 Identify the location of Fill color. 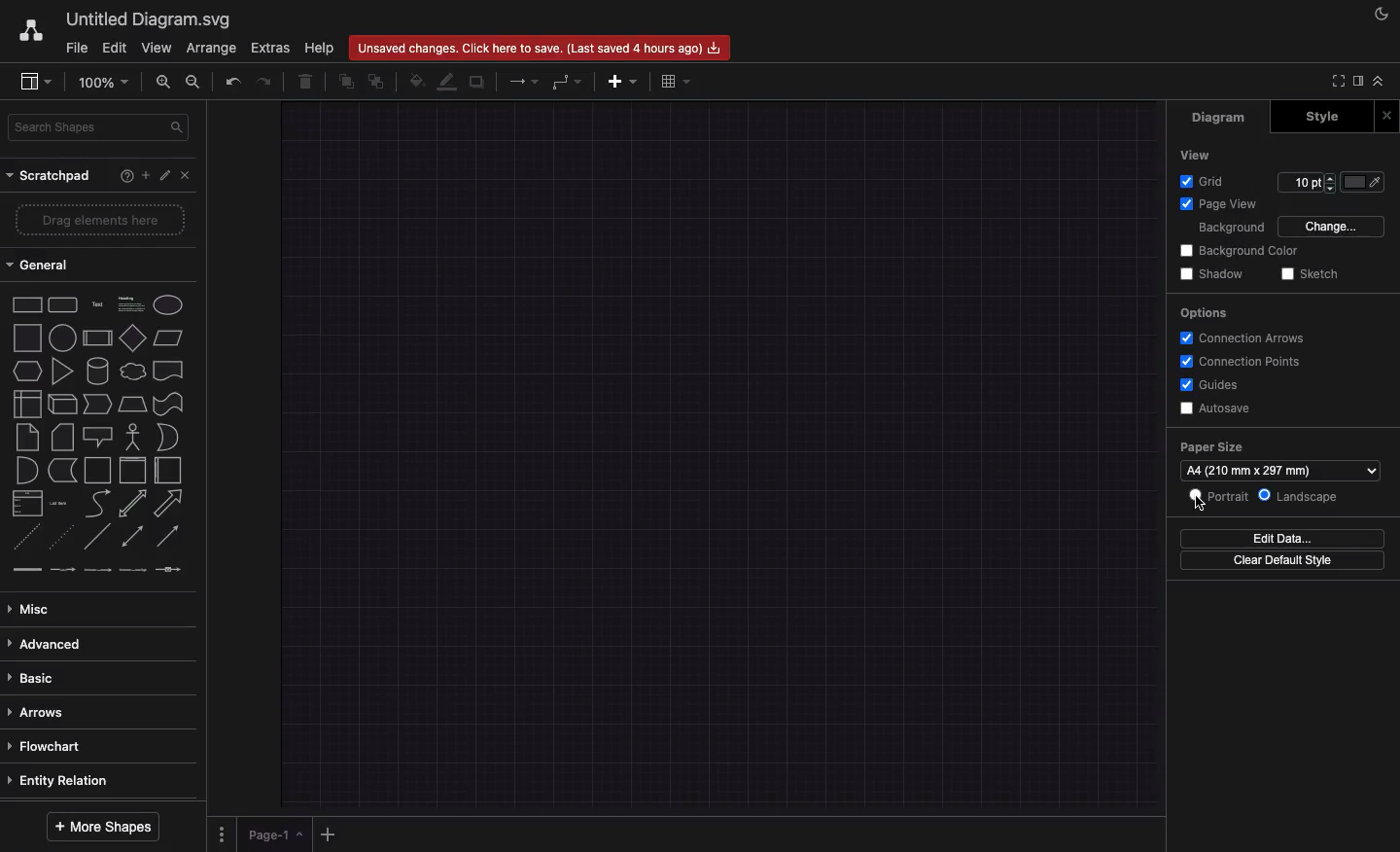
(1367, 188).